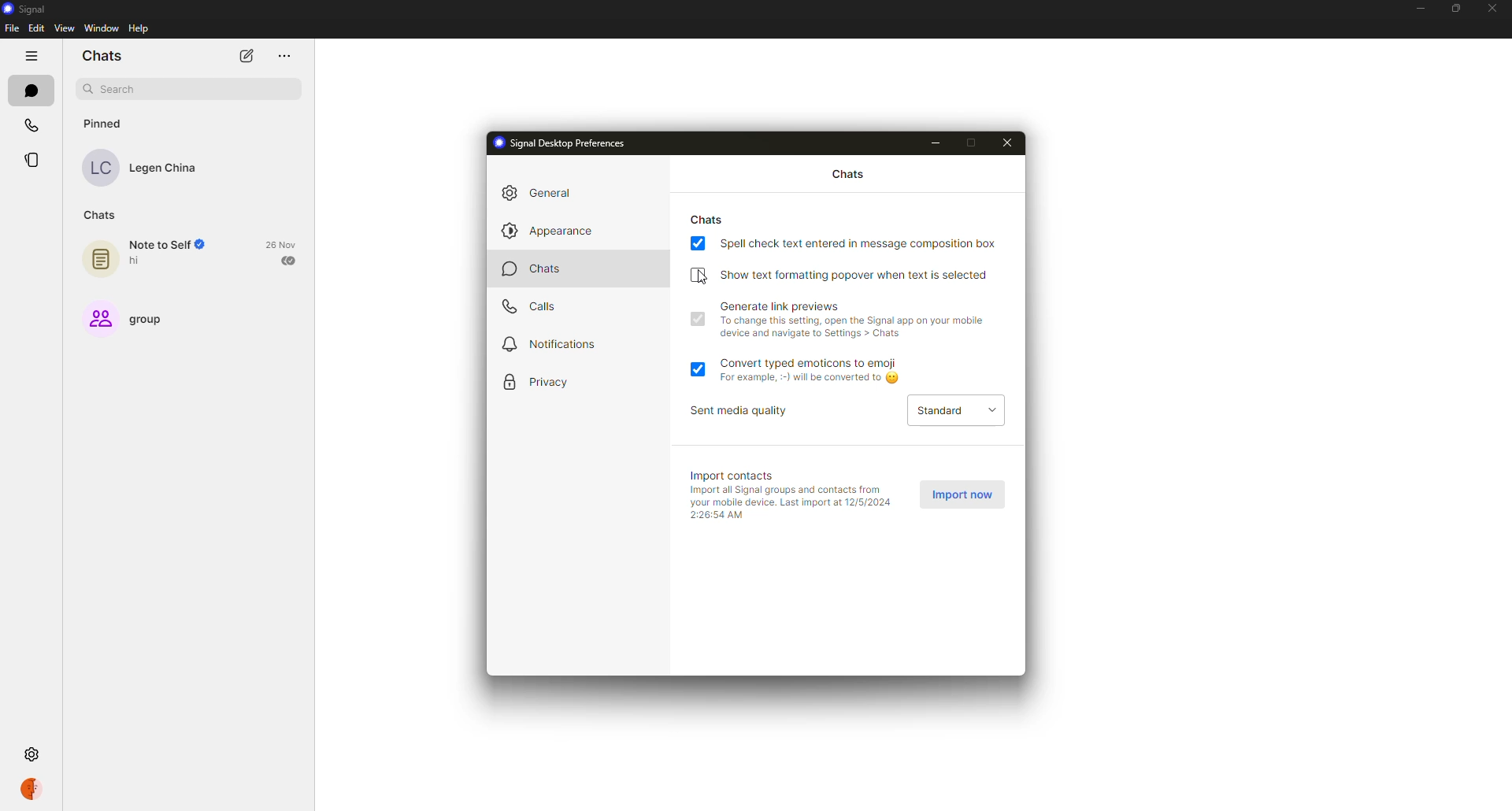  I want to click on enabled, so click(698, 244).